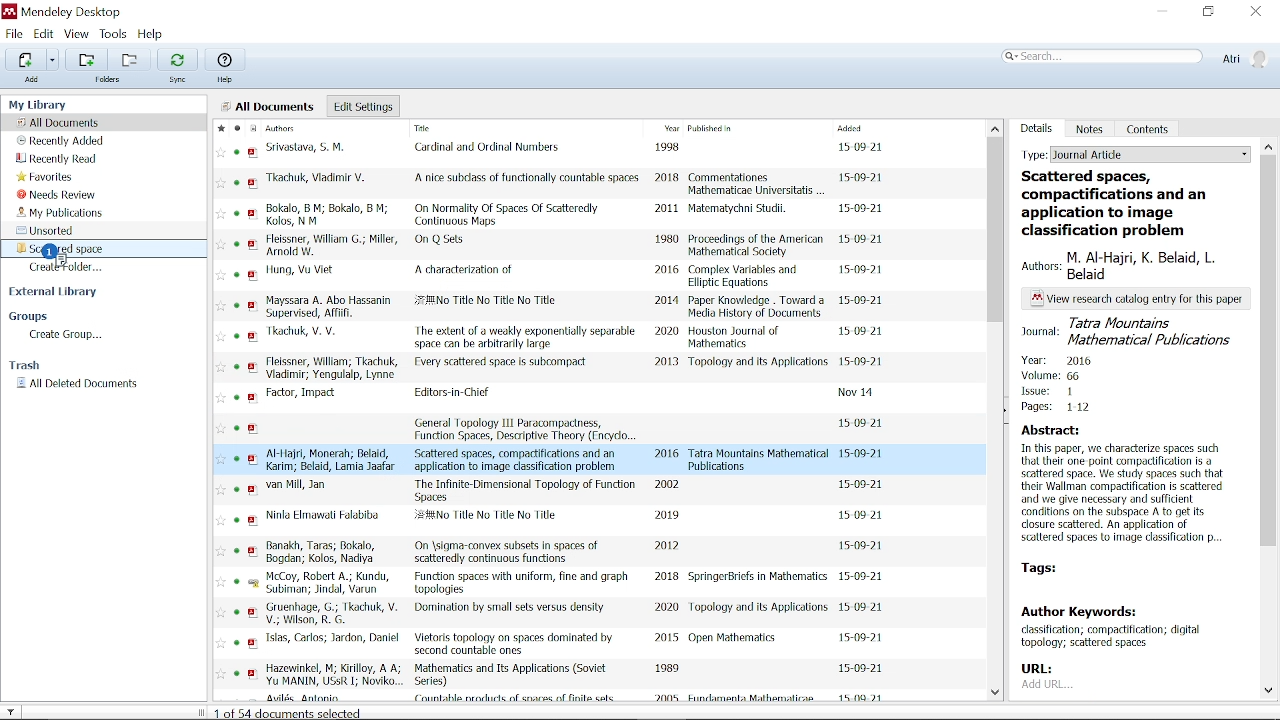  What do you see at coordinates (70, 248) in the screenshot?
I see `Folder "Scattered space"` at bounding box center [70, 248].